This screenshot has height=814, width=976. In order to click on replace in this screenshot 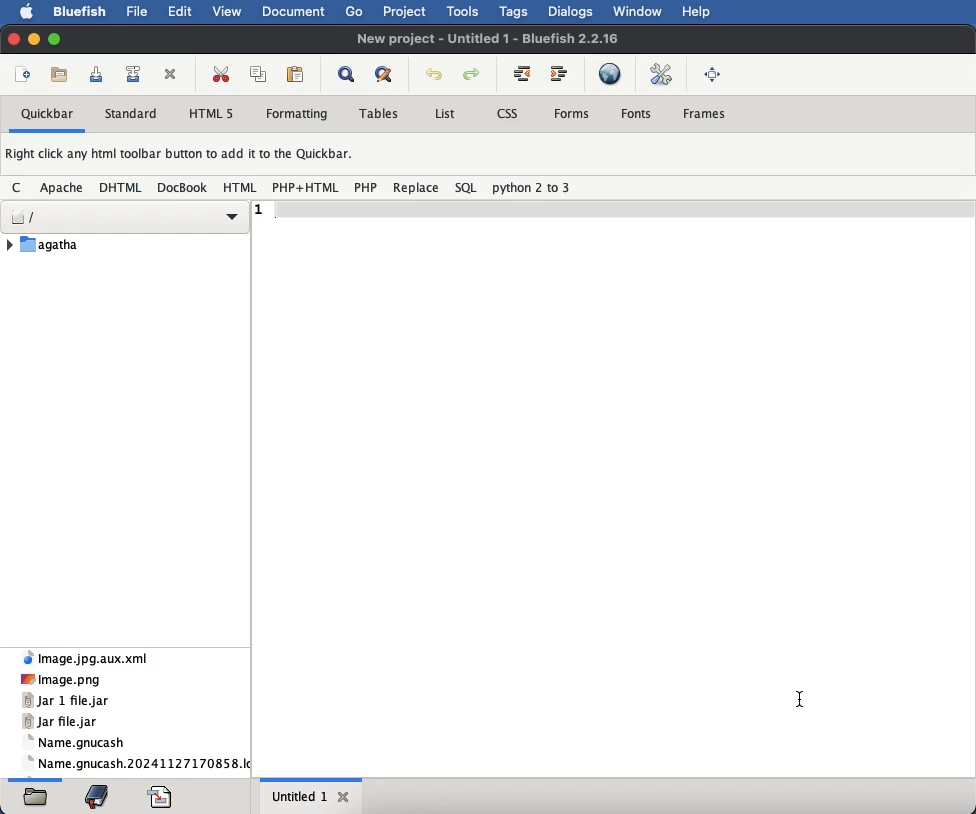, I will do `click(415, 187)`.